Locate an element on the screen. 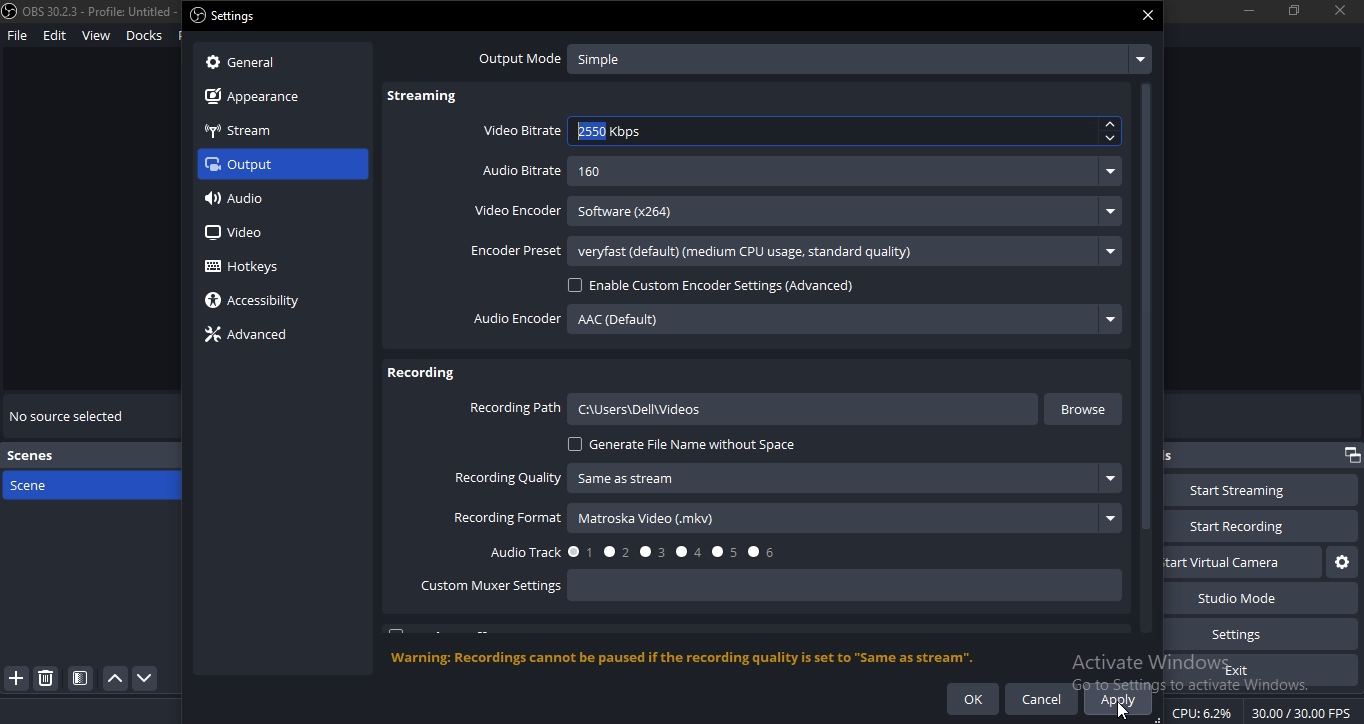 The height and width of the screenshot is (724, 1364). video is located at coordinates (234, 231).